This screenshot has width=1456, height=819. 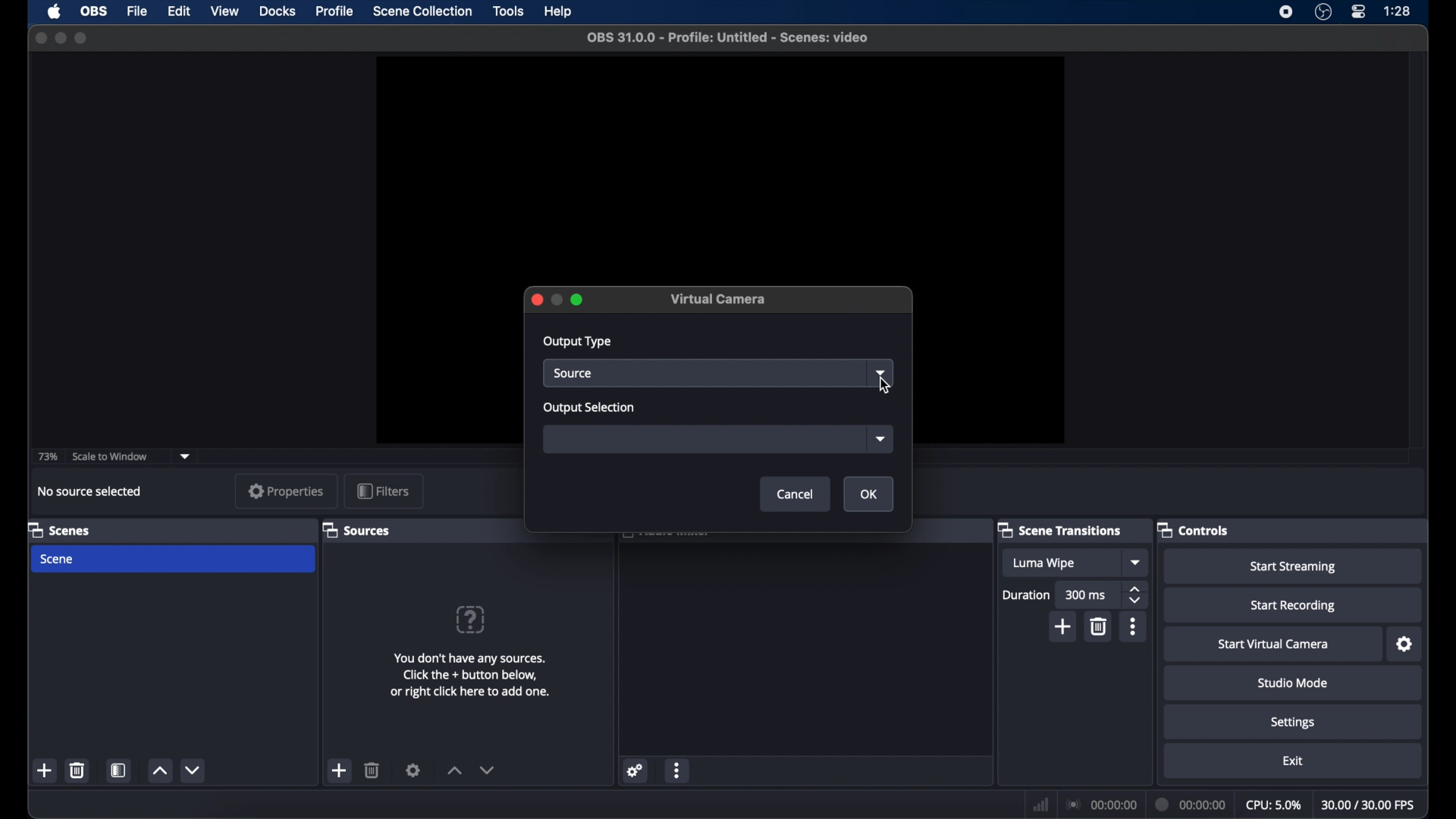 I want to click on cancel, so click(x=795, y=494).